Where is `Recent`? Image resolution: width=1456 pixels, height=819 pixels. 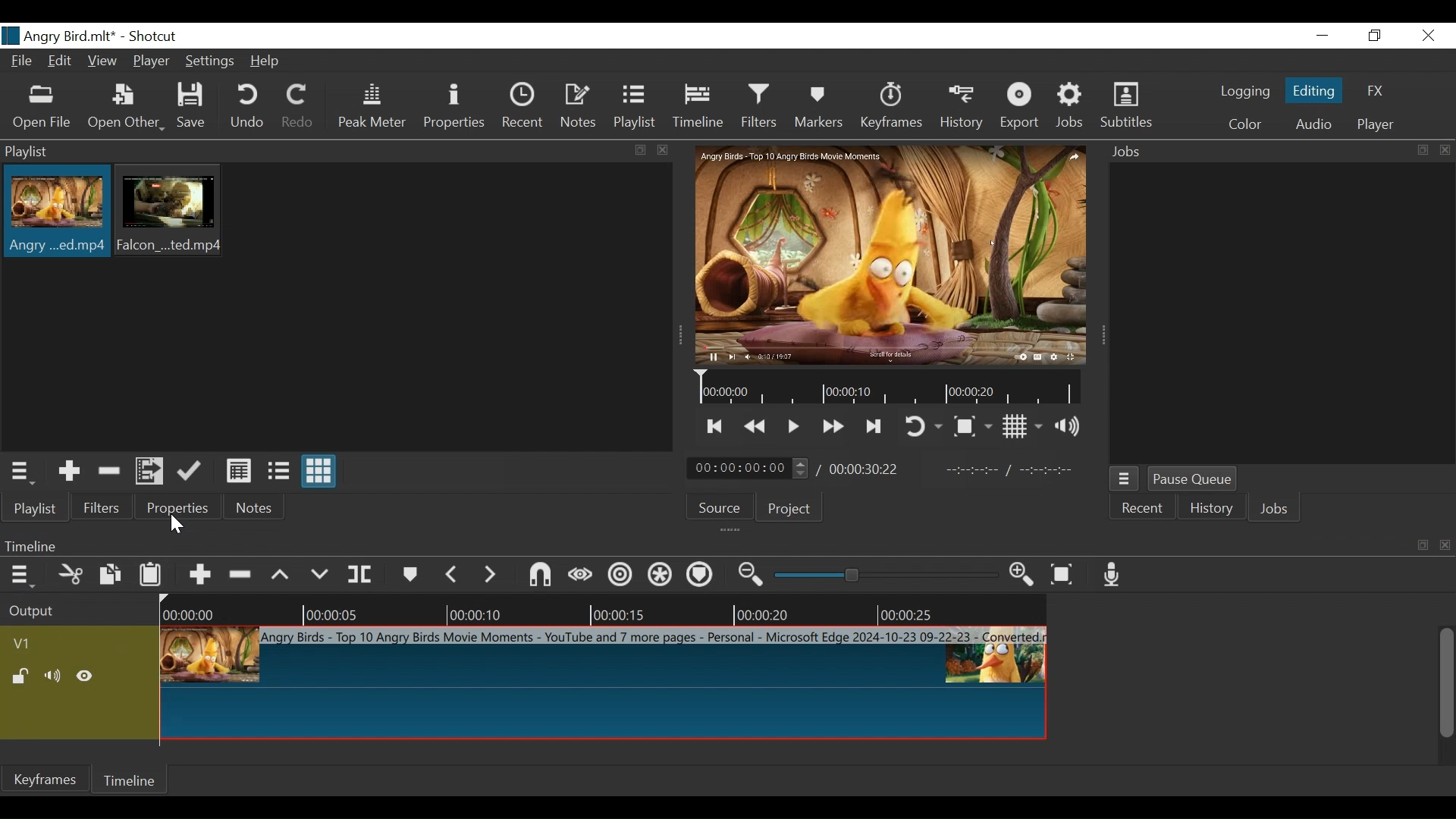
Recent is located at coordinates (522, 109).